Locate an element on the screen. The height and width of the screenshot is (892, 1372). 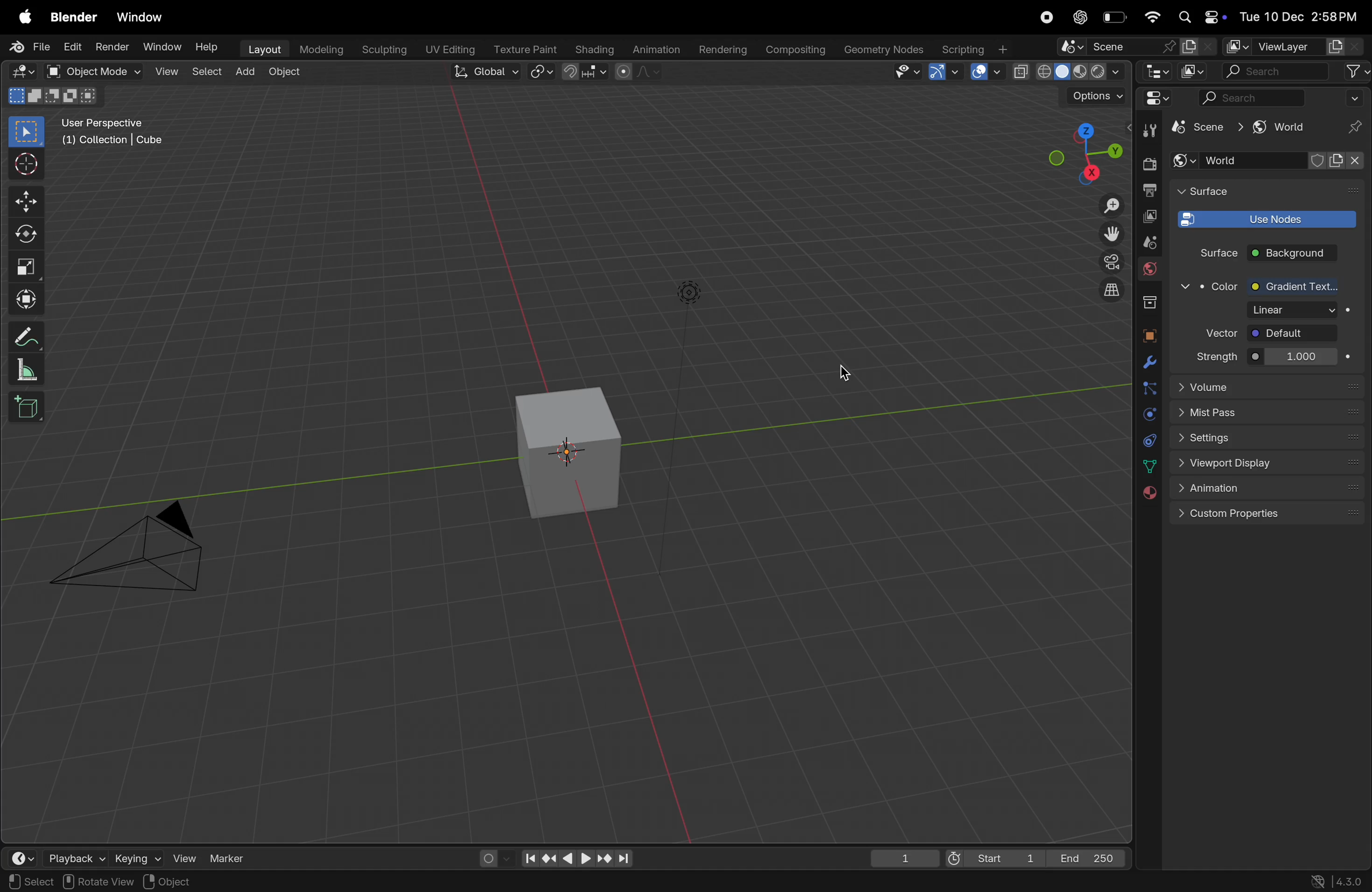
view is located at coordinates (171, 880).